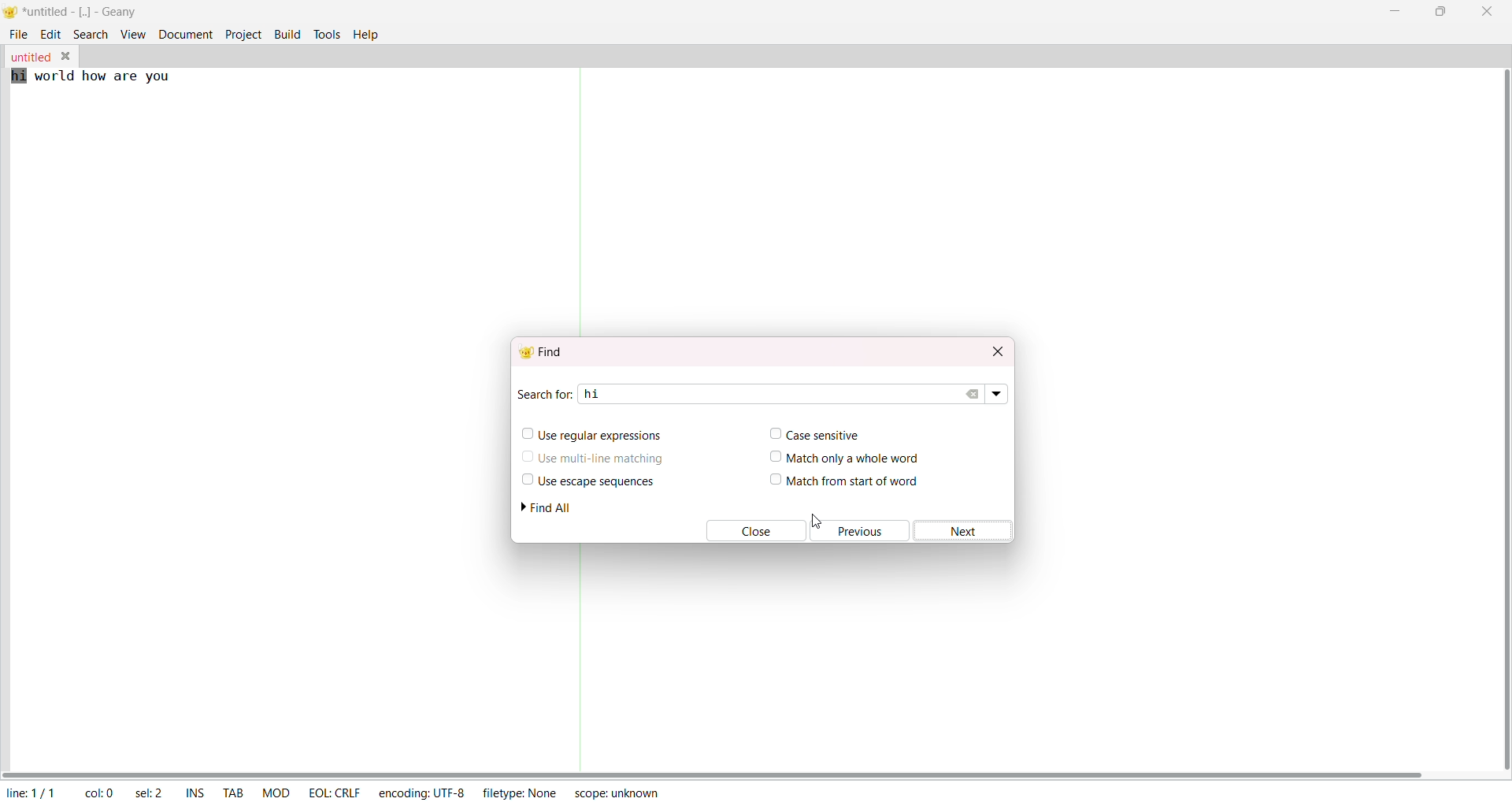 The image size is (1512, 802). I want to click on cursor, so click(818, 519).